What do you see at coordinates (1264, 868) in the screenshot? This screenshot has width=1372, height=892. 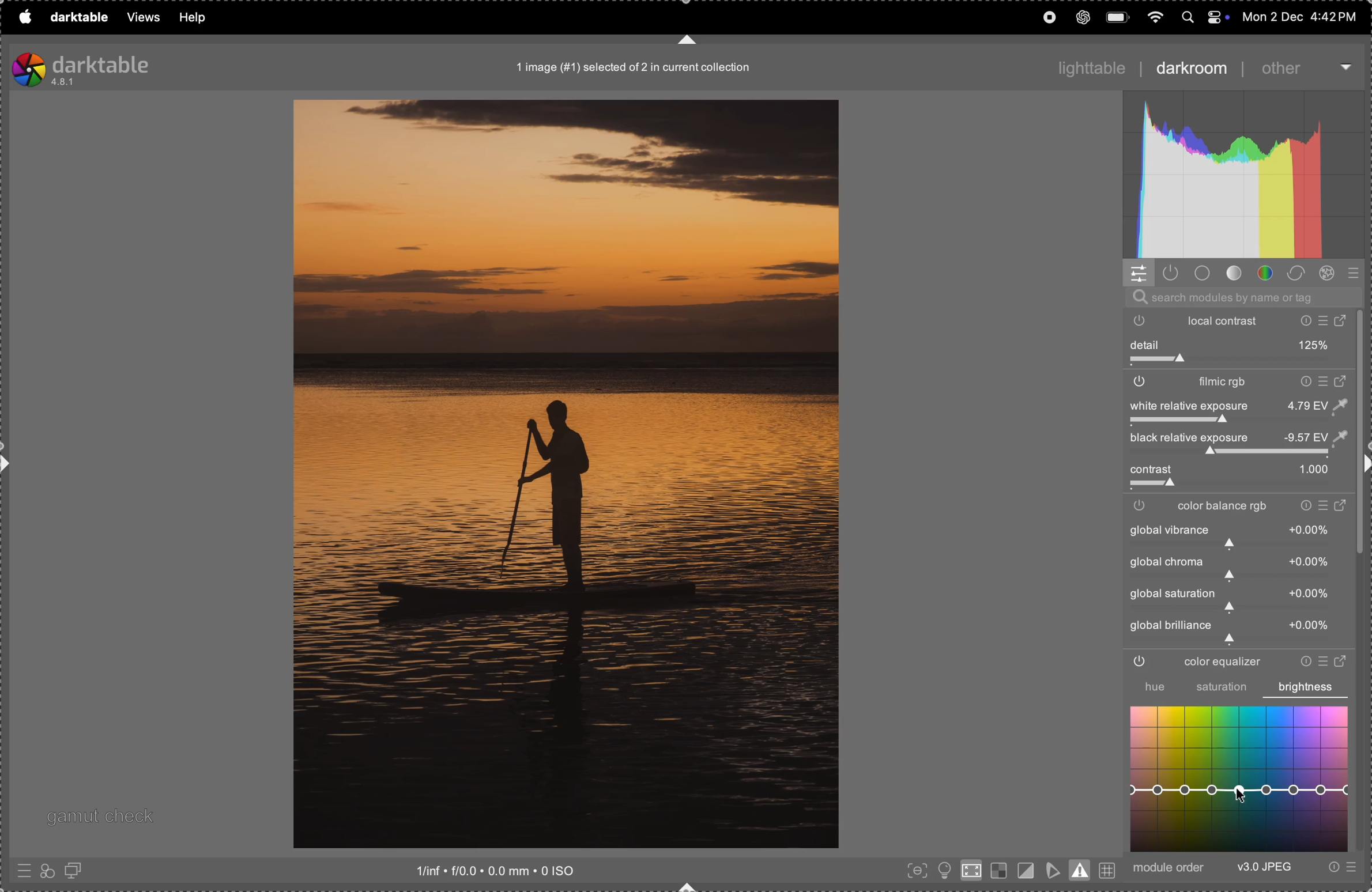 I see `v3 jpeg` at bounding box center [1264, 868].